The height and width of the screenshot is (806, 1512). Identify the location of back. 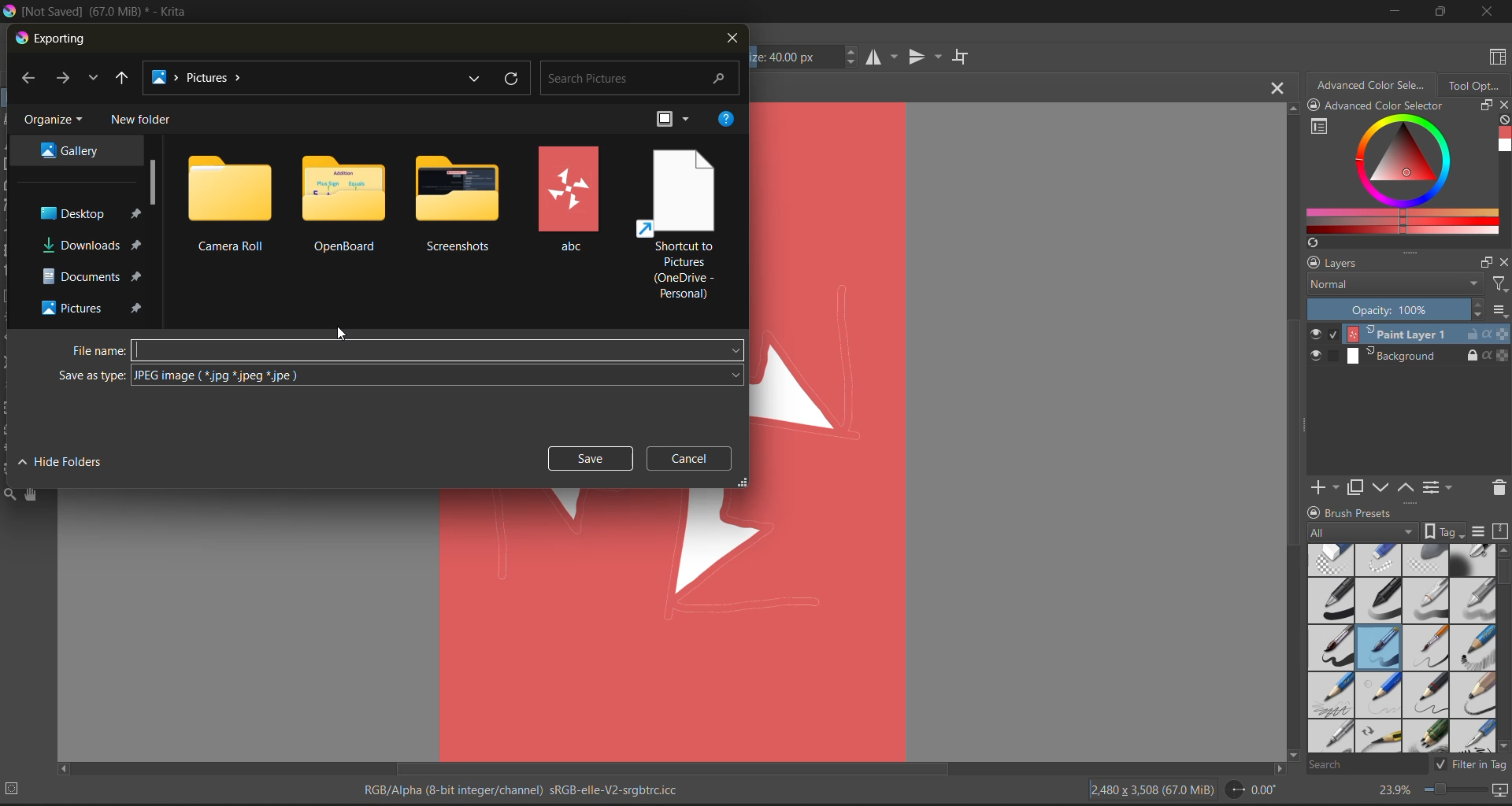
(30, 78).